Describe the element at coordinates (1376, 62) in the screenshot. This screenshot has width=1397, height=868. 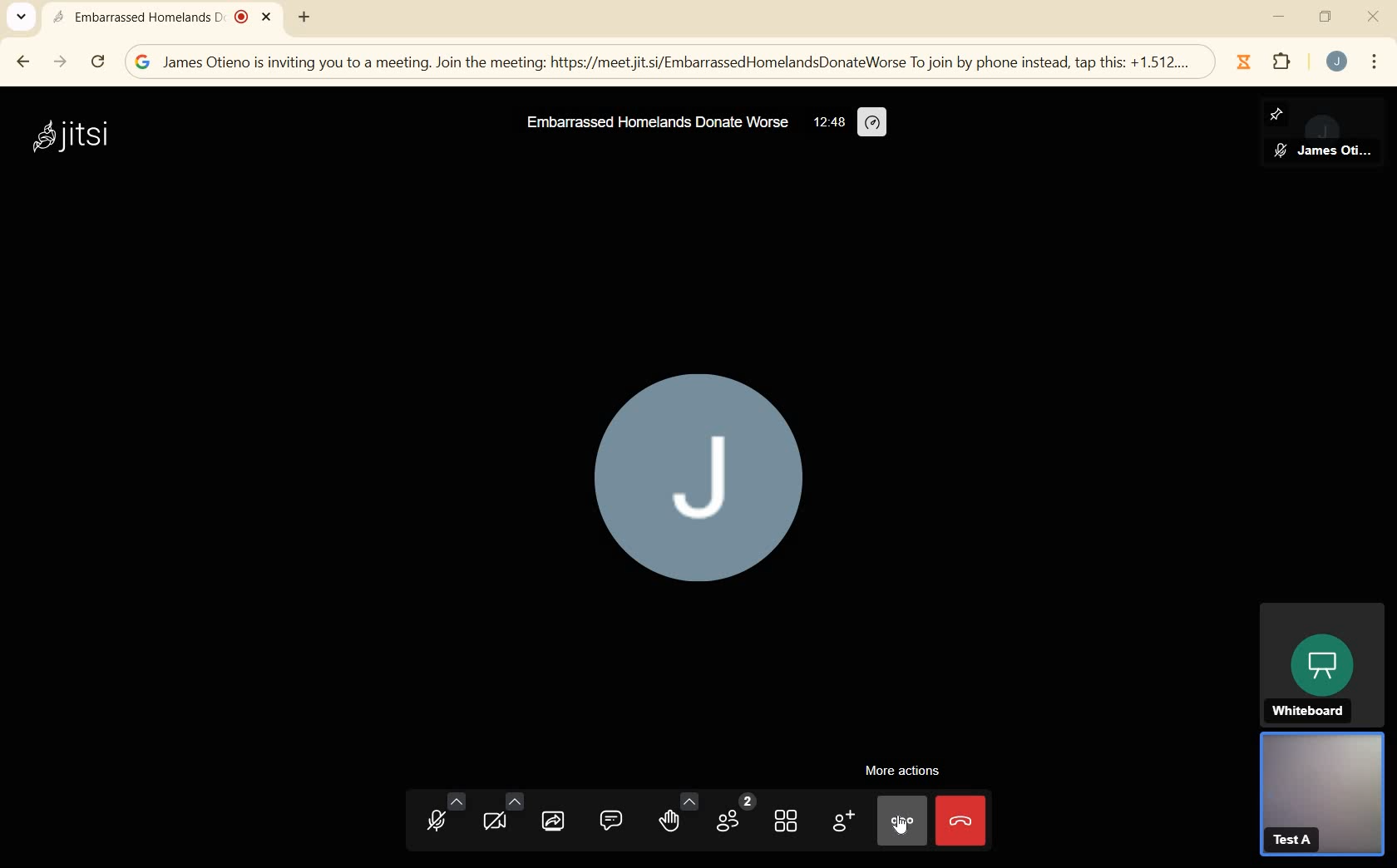
I see `customize google chrome` at that location.